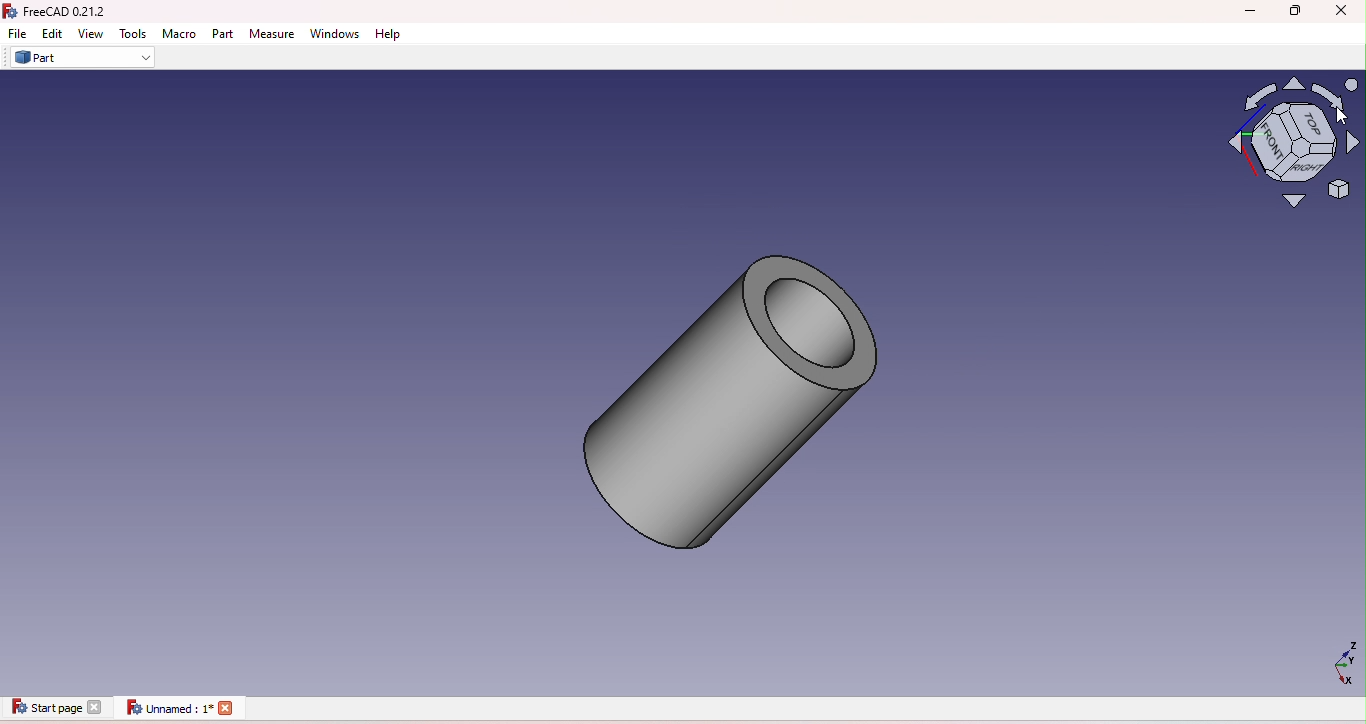 Image resolution: width=1366 pixels, height=724 pixels. What do you see at coordinates (1240, 10) in the screenshot?
I see `Minimize` at bounding box center [1240, 10].